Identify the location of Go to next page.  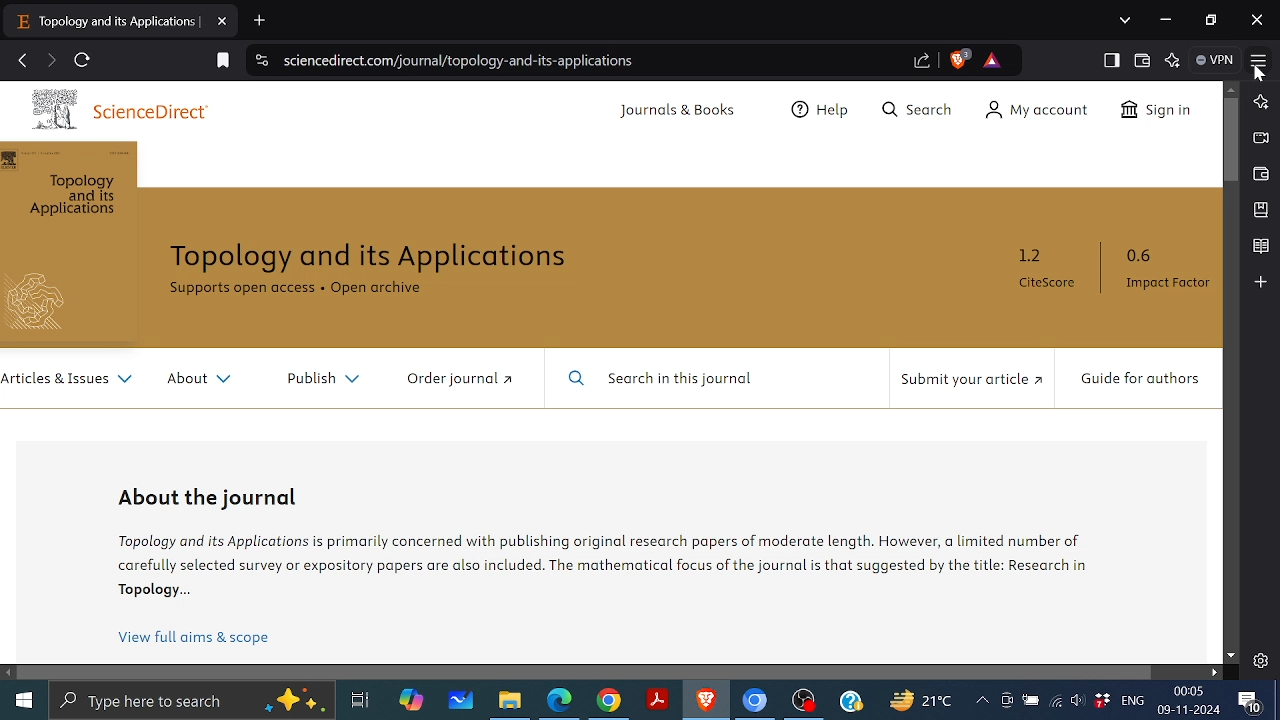
(50, 60).